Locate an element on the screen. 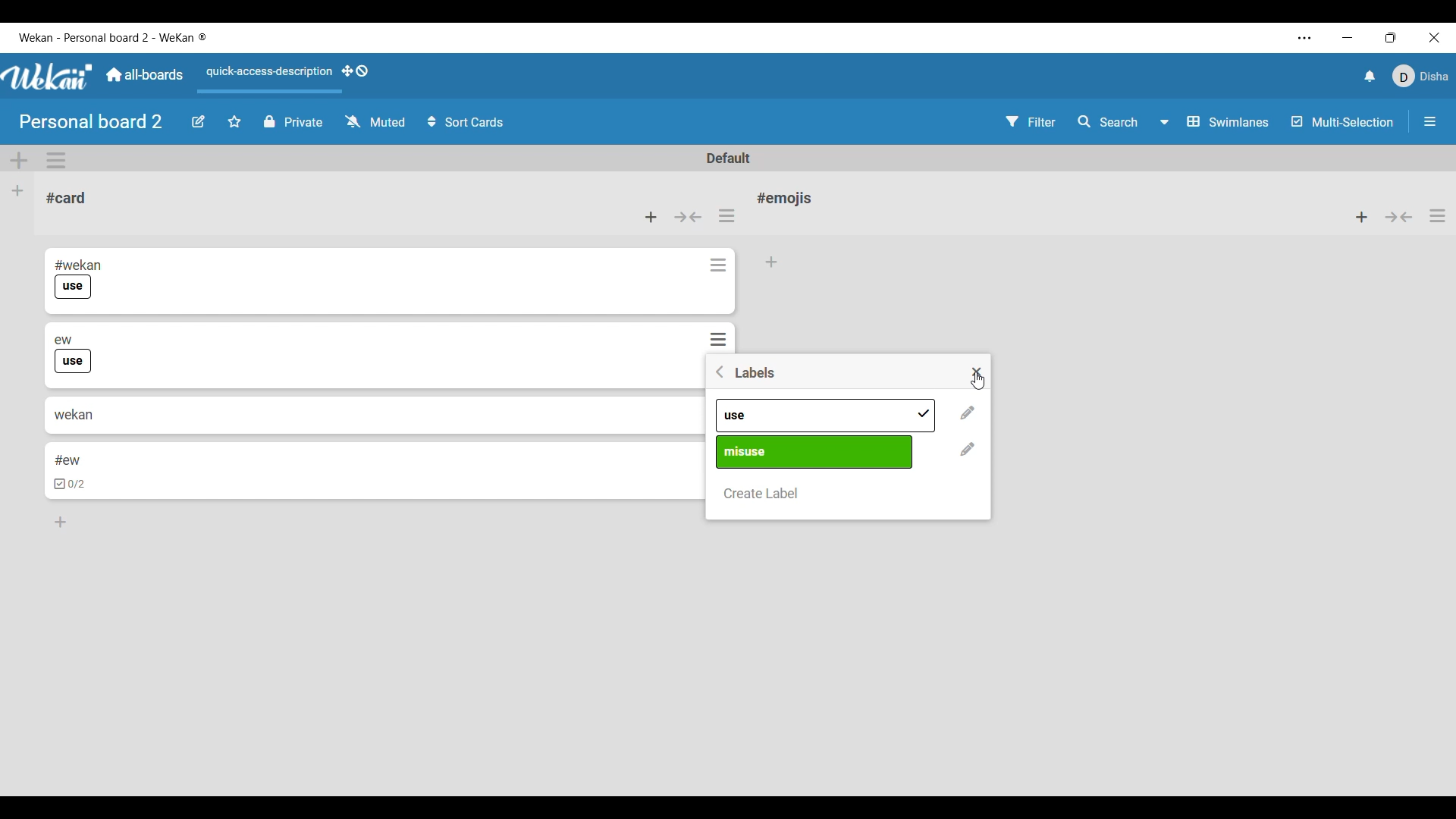 The height and width of the screenshot is (819, 1456). Go to common dashboard is located at coordinates (145, 74).